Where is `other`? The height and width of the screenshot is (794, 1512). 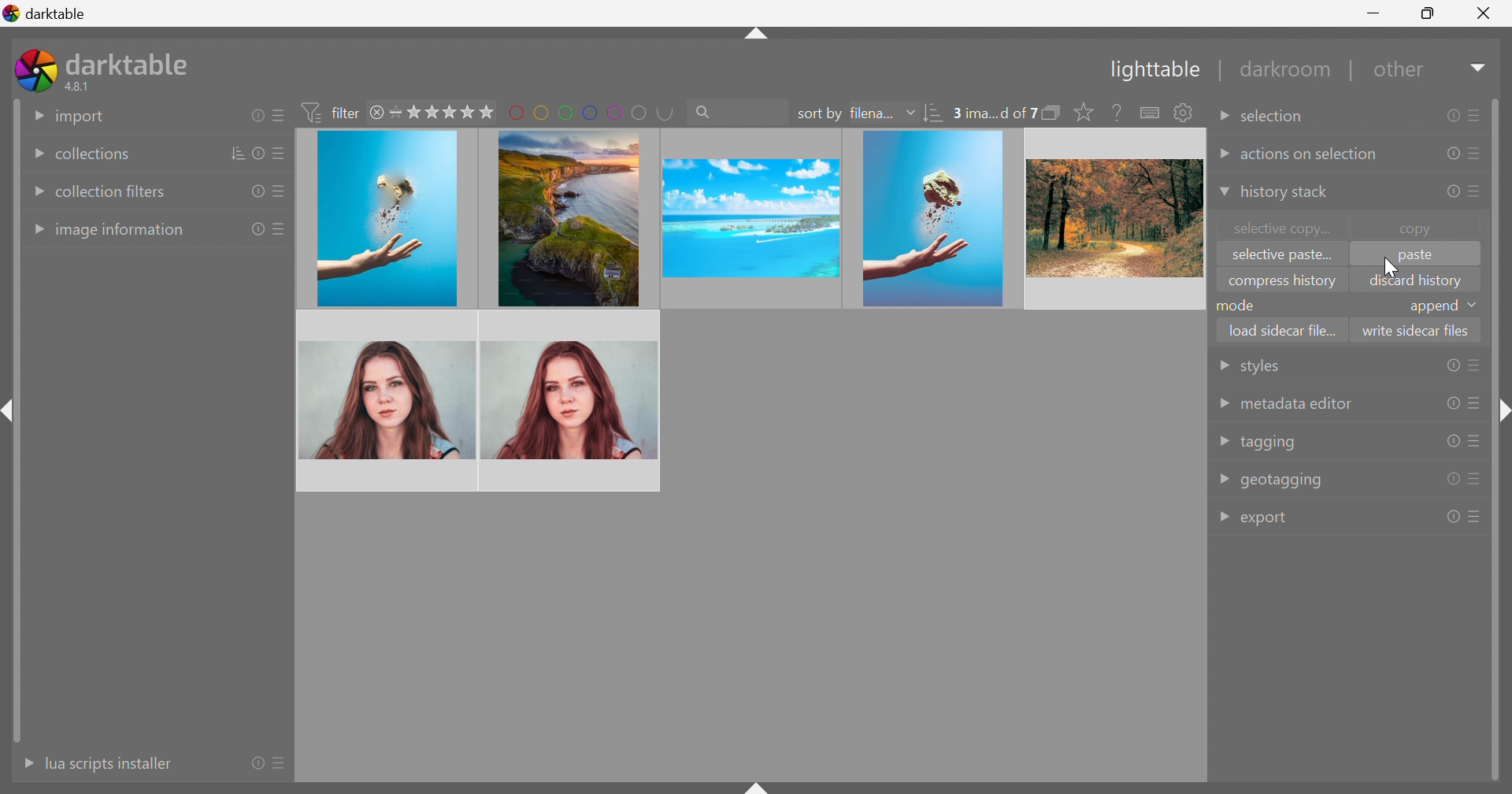
other is located at coordinates (1402, 74).